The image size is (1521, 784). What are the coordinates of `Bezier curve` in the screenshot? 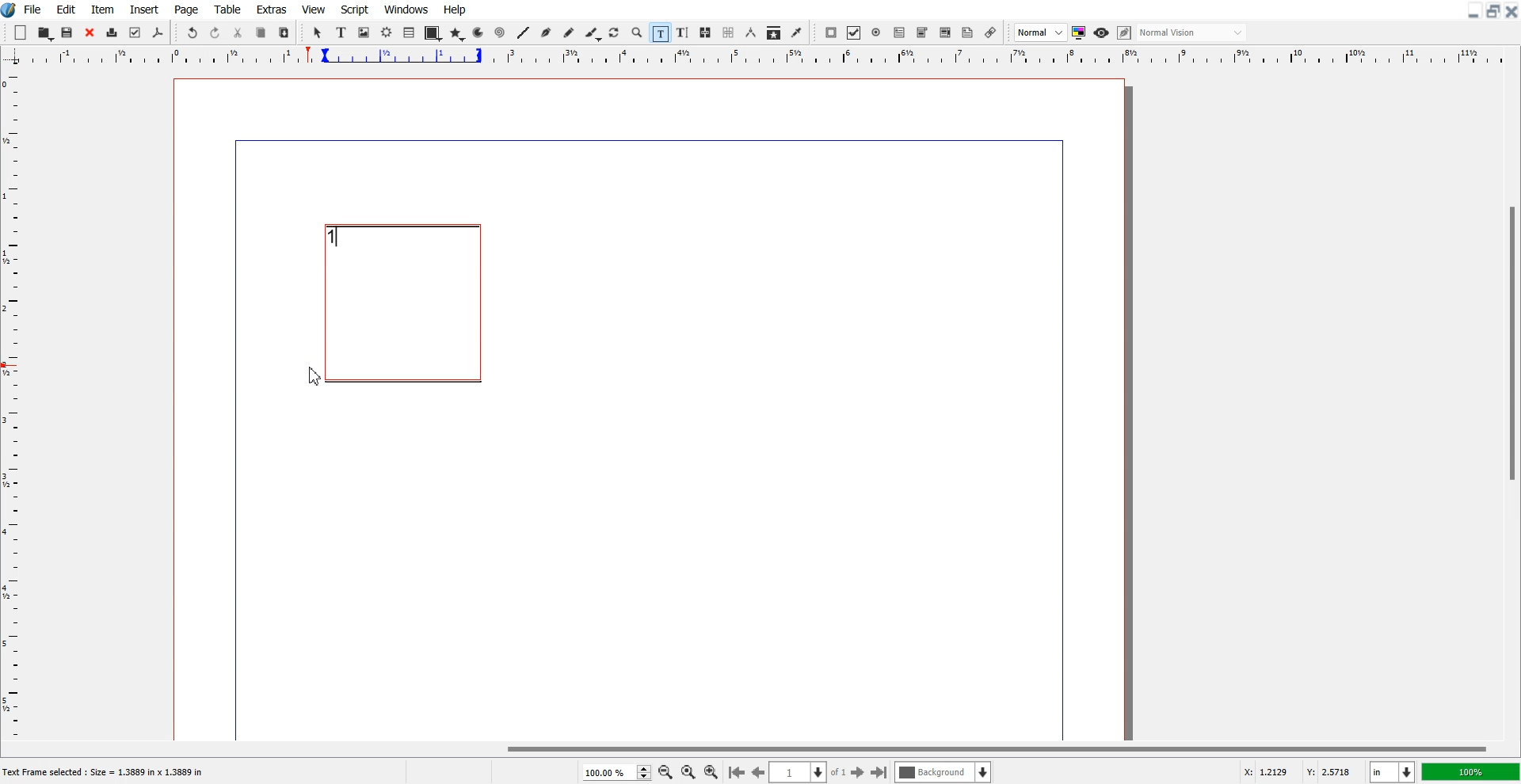 It's located at (547, 33).